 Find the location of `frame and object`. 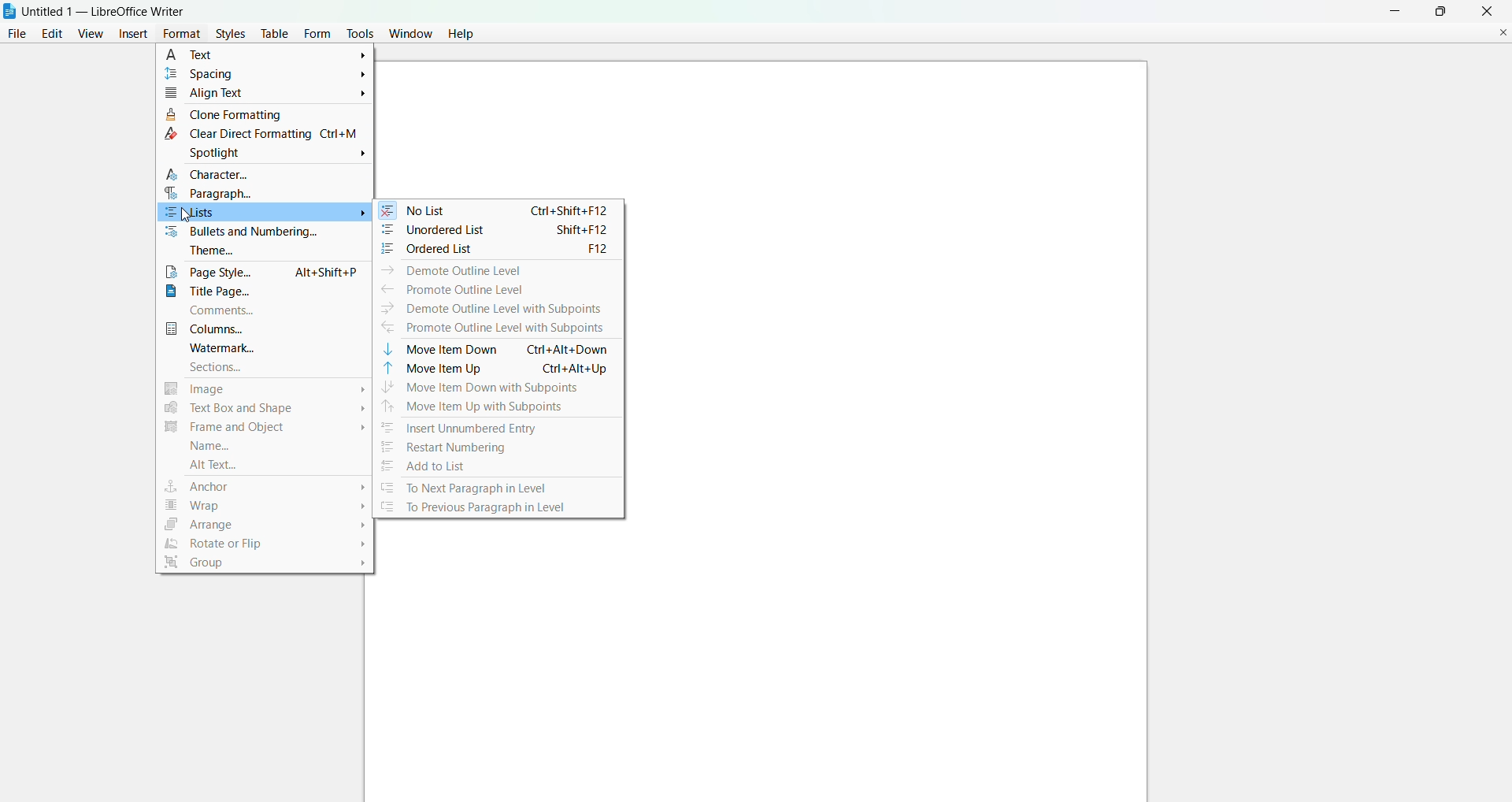

frame and object is located at coordinates (261, 428).